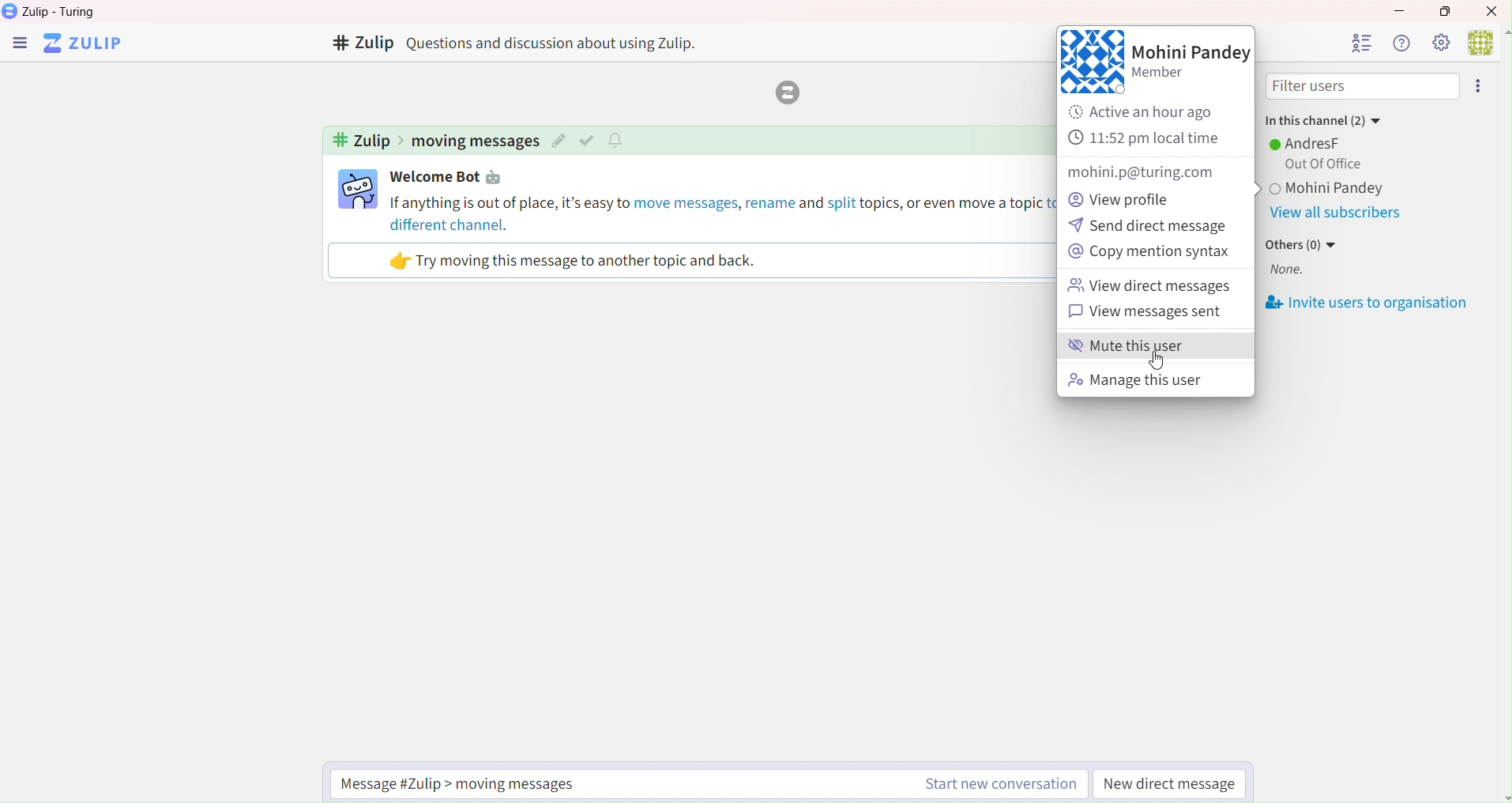 This screenshot has height=803, width=1512. Describe the element at coordinates (784, 93) in the screenshot. I see `Logo` at that location.